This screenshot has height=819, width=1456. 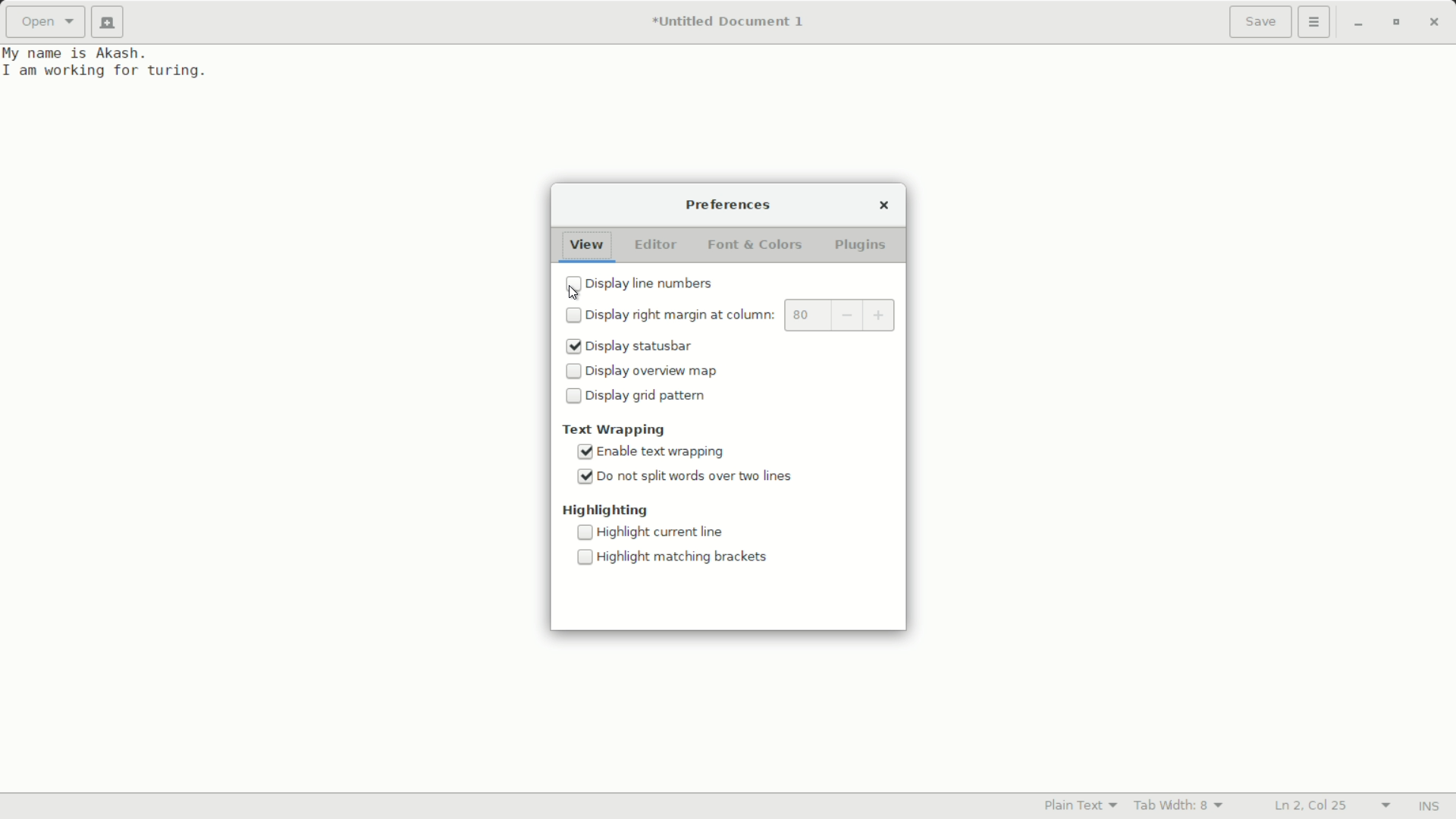 What do you see at coordinates (585, 477) in the screenshot?
I see `checked checkbox` at bounding box center [585, 477].